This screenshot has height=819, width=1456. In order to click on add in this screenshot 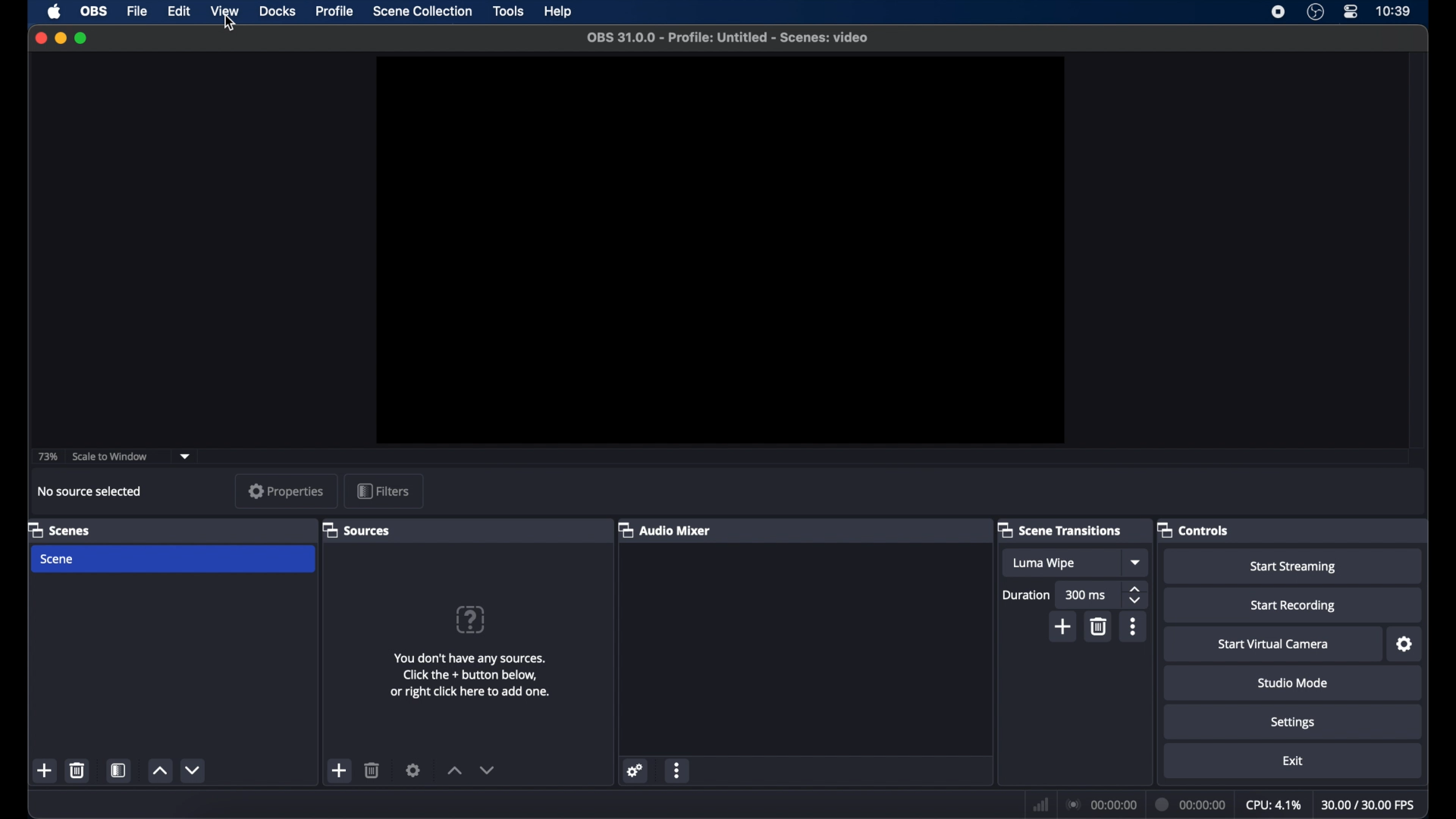, I will do `click(340, 770)`.